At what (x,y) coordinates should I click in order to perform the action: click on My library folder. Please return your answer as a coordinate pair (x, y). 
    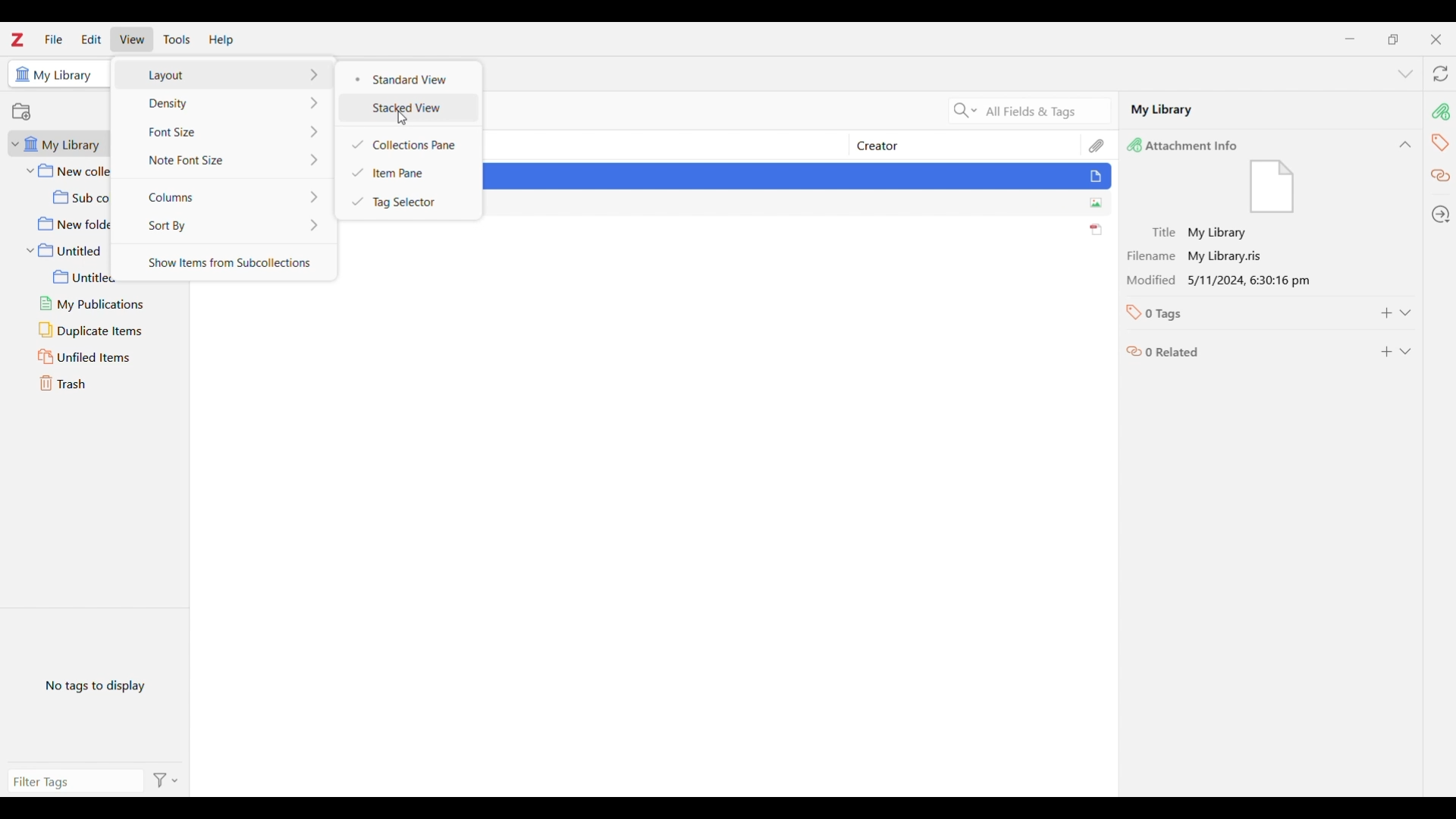
    Looking at the image, I should click on (61, 143).